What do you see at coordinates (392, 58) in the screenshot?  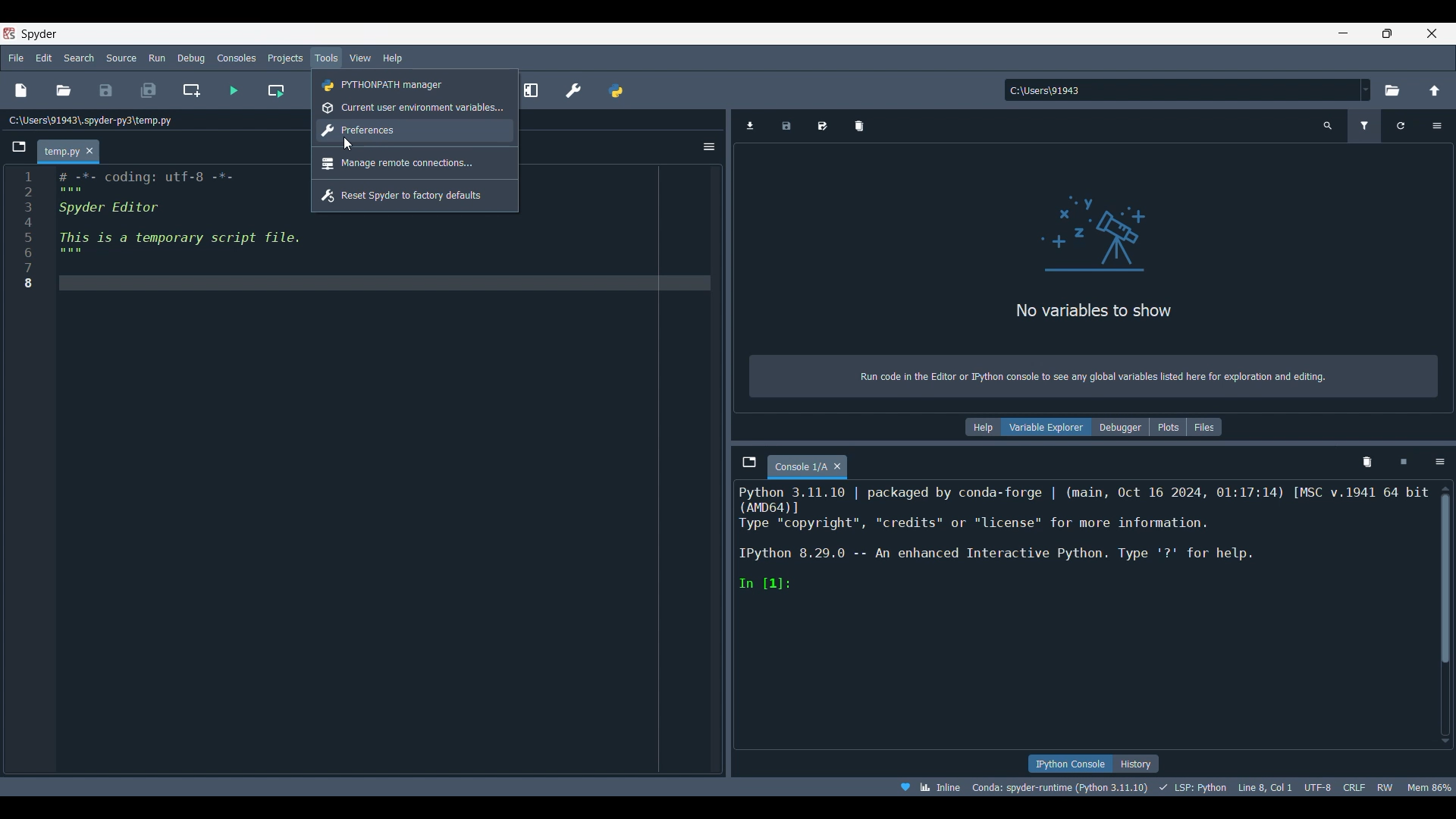 I see `Help menu` at bounding box center [392, 58].